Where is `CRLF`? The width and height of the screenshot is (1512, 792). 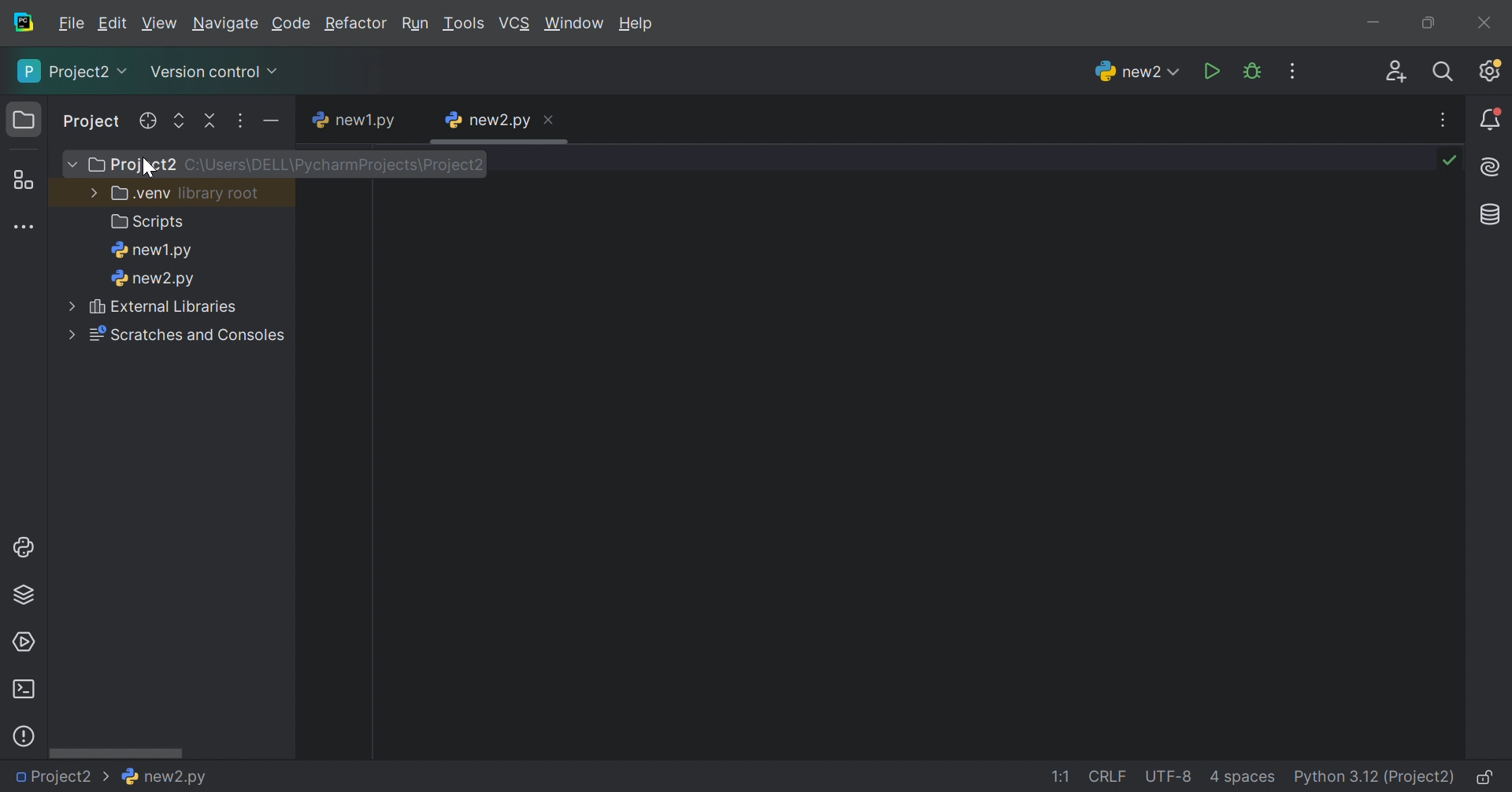
CRLF is located at coordinates (1106, 775).